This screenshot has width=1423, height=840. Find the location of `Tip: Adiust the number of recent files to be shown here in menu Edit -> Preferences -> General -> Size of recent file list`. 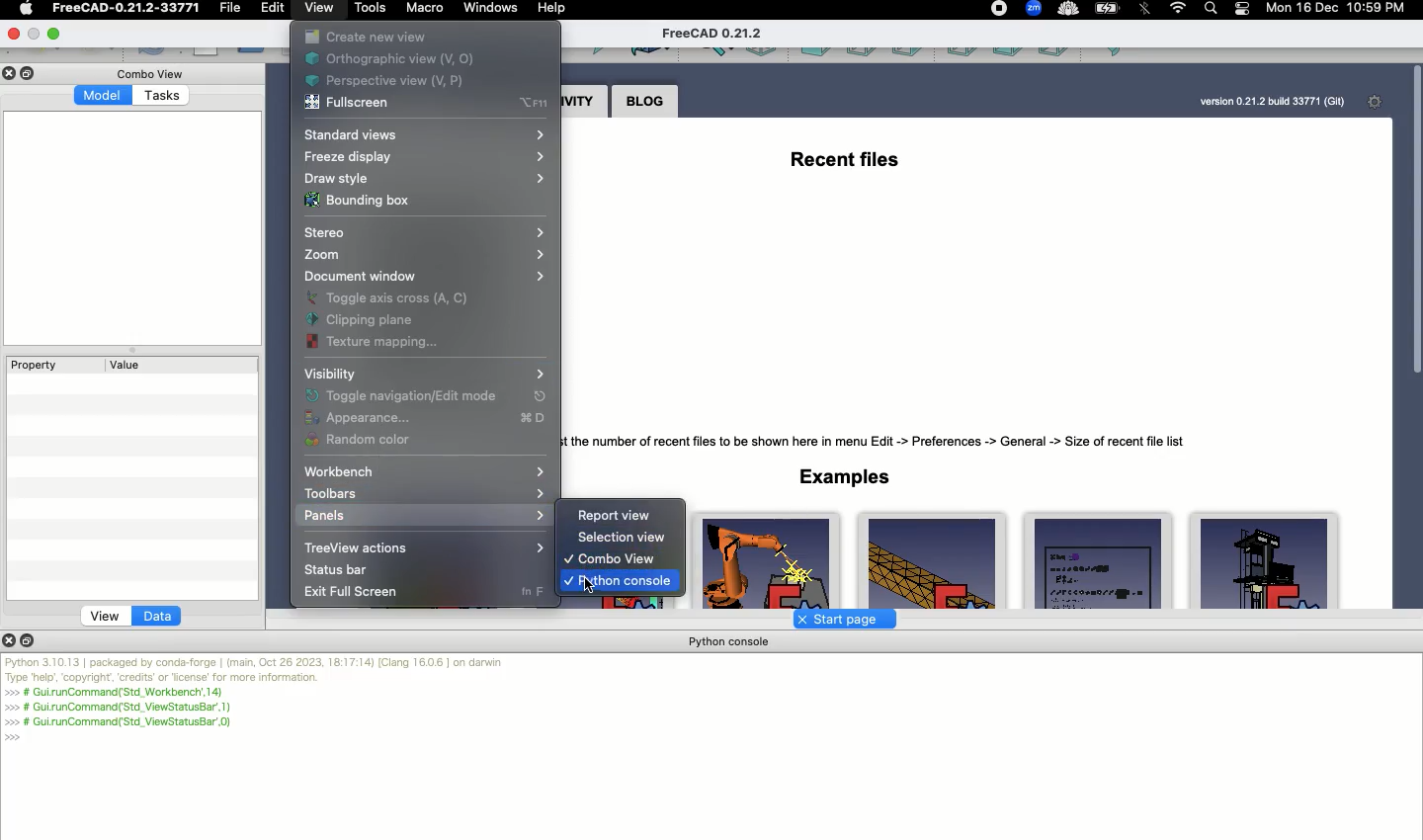

Tip: Adiust the number of recent files to be shown here in menu Edit -> Preferences -> General -> Size of recent file list is located at coordinates (884, 438).